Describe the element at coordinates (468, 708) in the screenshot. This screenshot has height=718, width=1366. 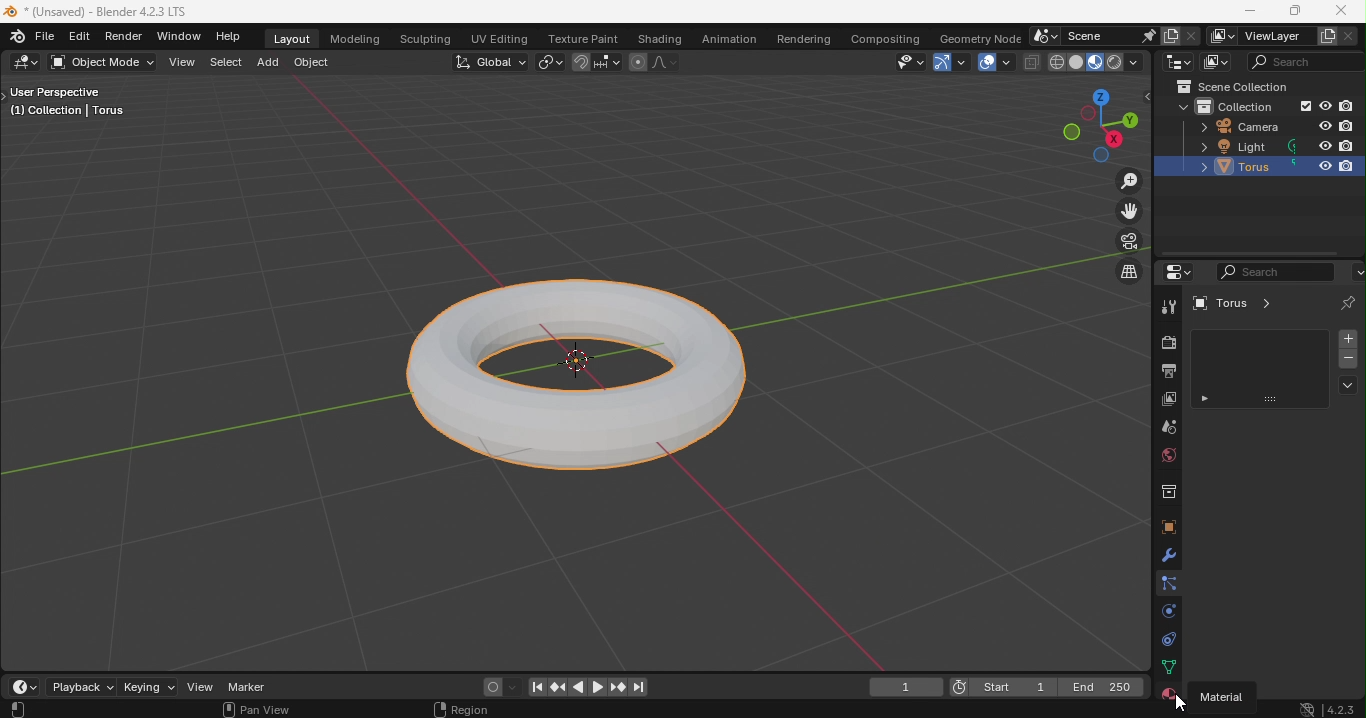
I see `Region` at that location.